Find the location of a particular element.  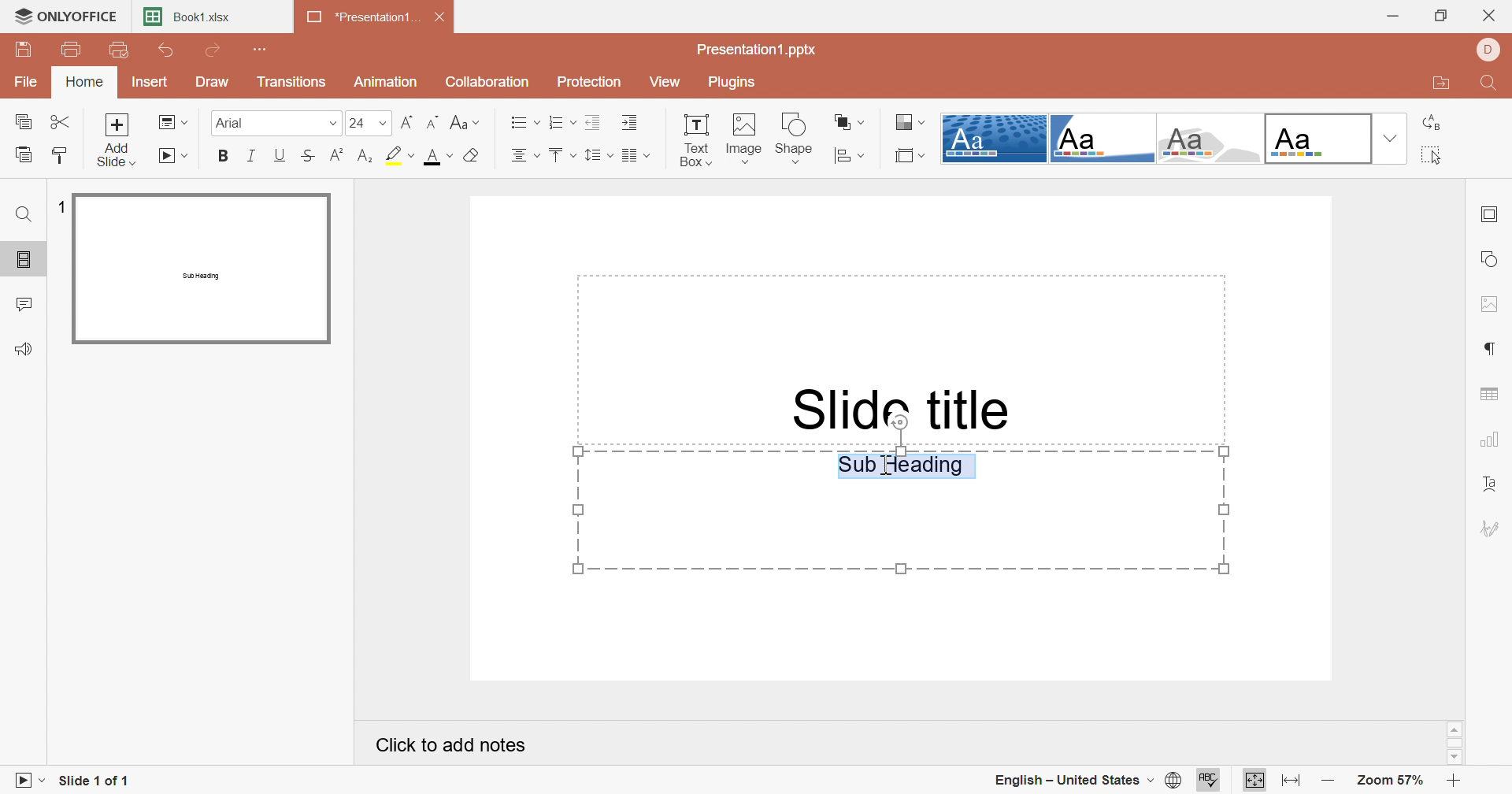

Protection is located at coordinates (593, 83).